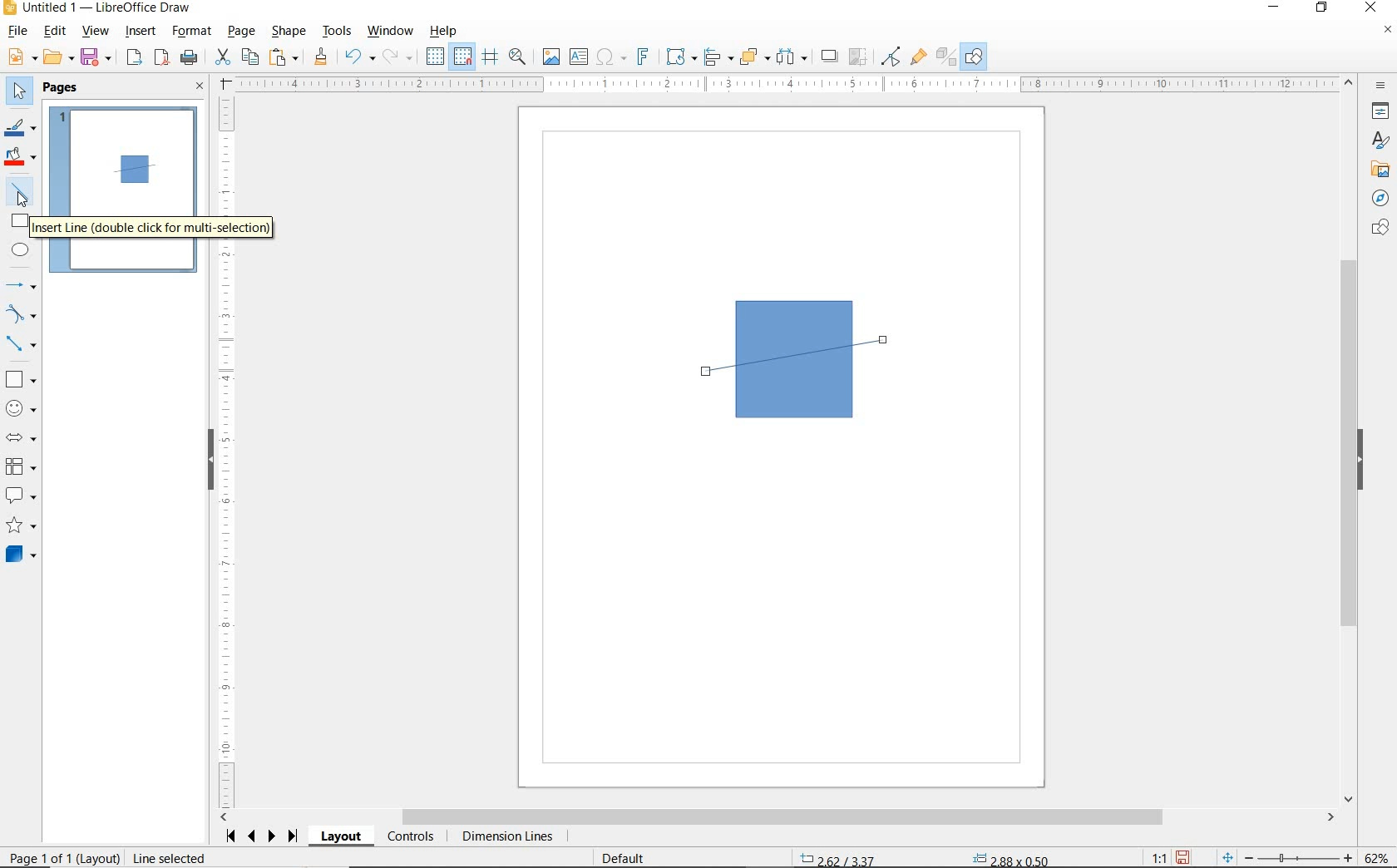 The height and width of the screenshot is (868, 1397). Describe the element at coordinates (1182, 857) in the screenshot. I see `SAVE` at that location.